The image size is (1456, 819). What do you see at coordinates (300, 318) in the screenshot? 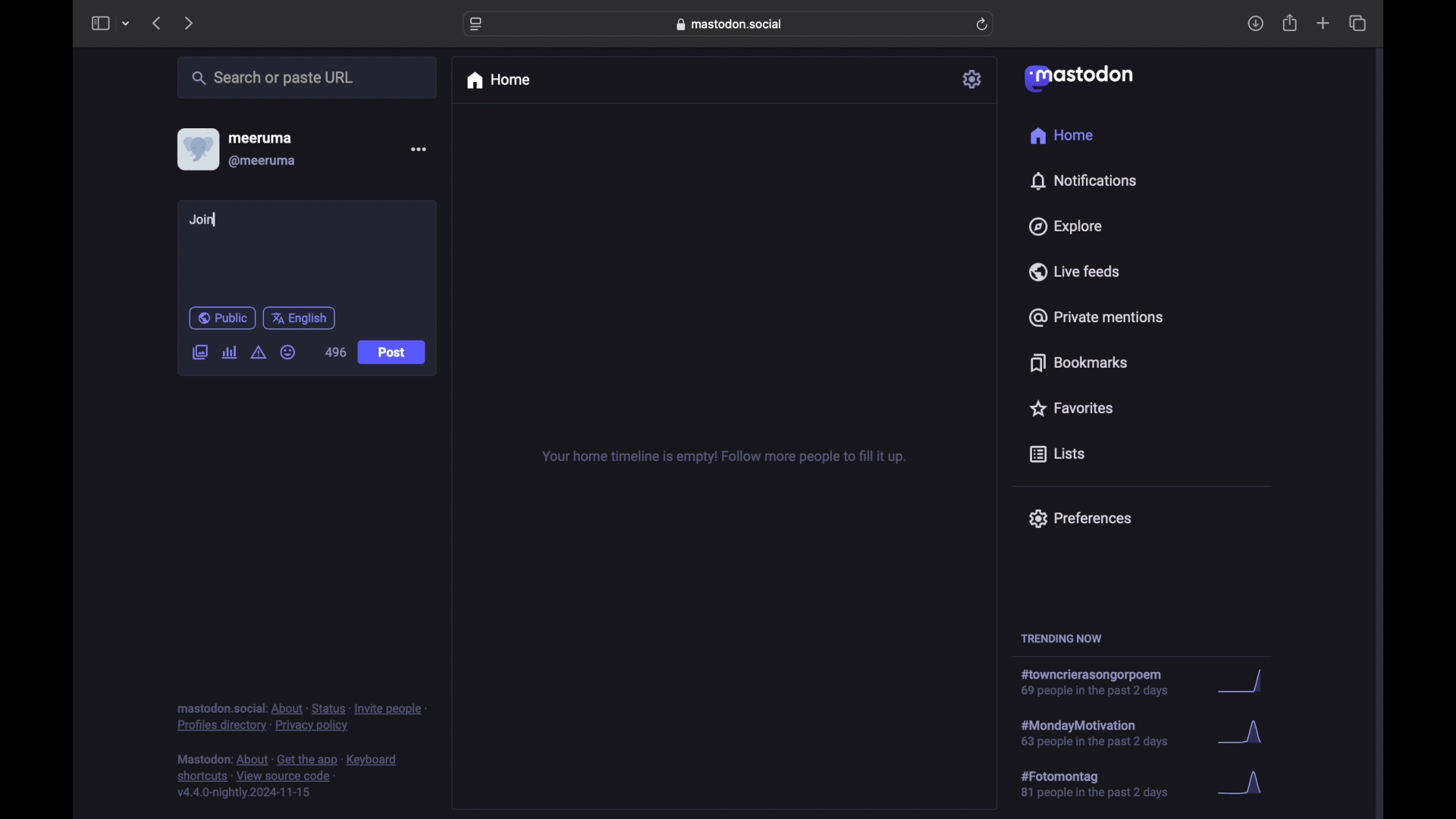
I see `english` at bounding box center [300, 318].